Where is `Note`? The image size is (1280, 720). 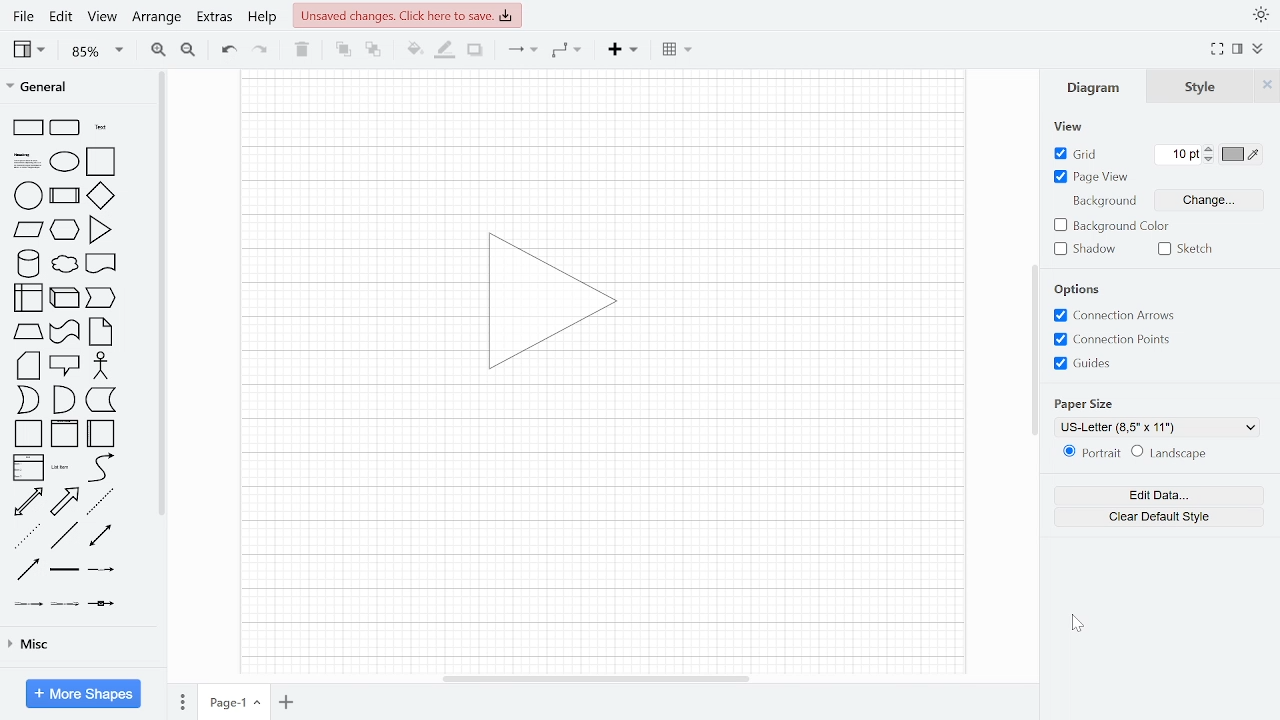 Note is located at coordinates (100, 332).